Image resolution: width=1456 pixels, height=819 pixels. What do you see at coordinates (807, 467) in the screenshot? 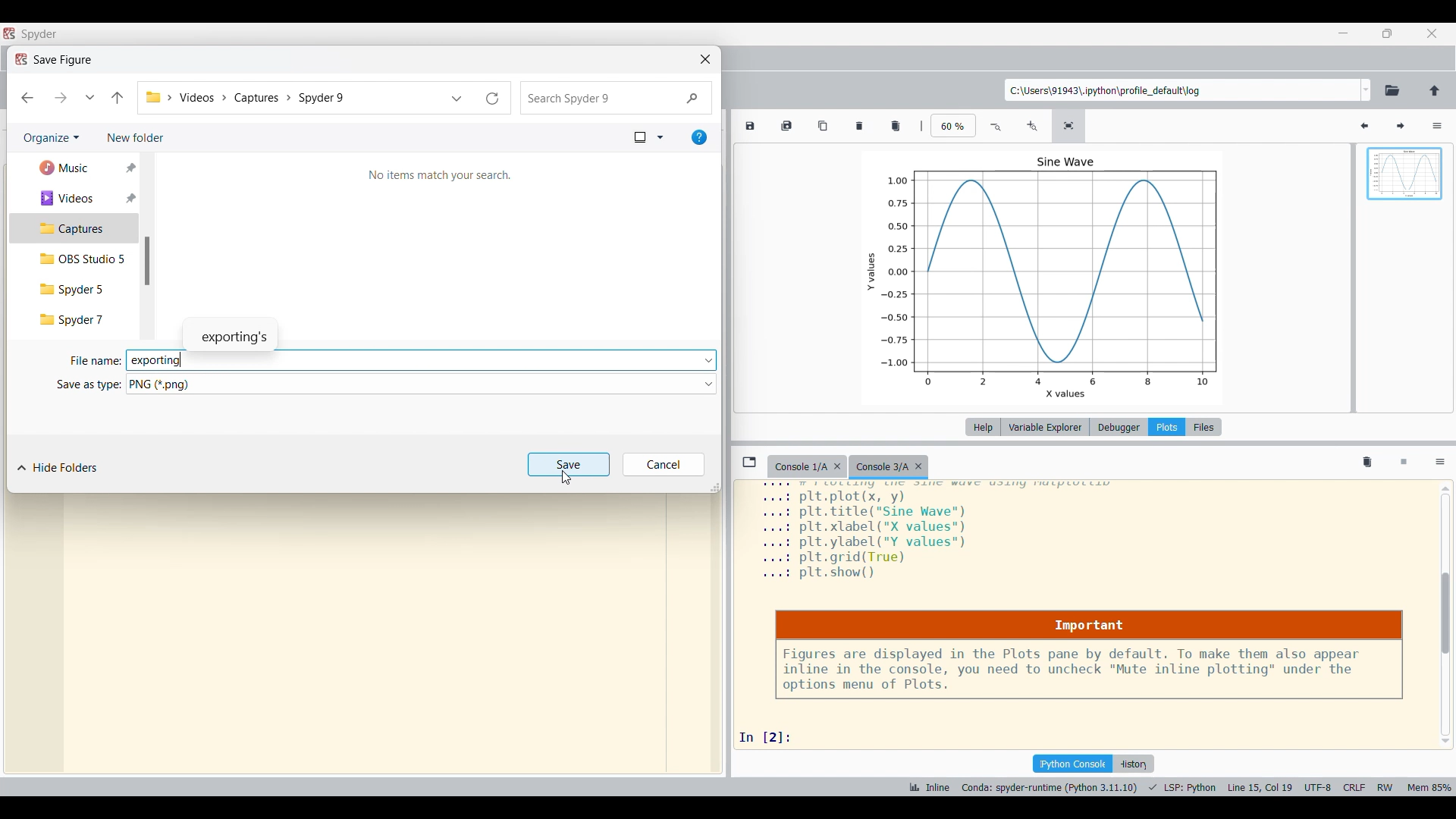
I see `Older tab` at bounding box center [807, 467].